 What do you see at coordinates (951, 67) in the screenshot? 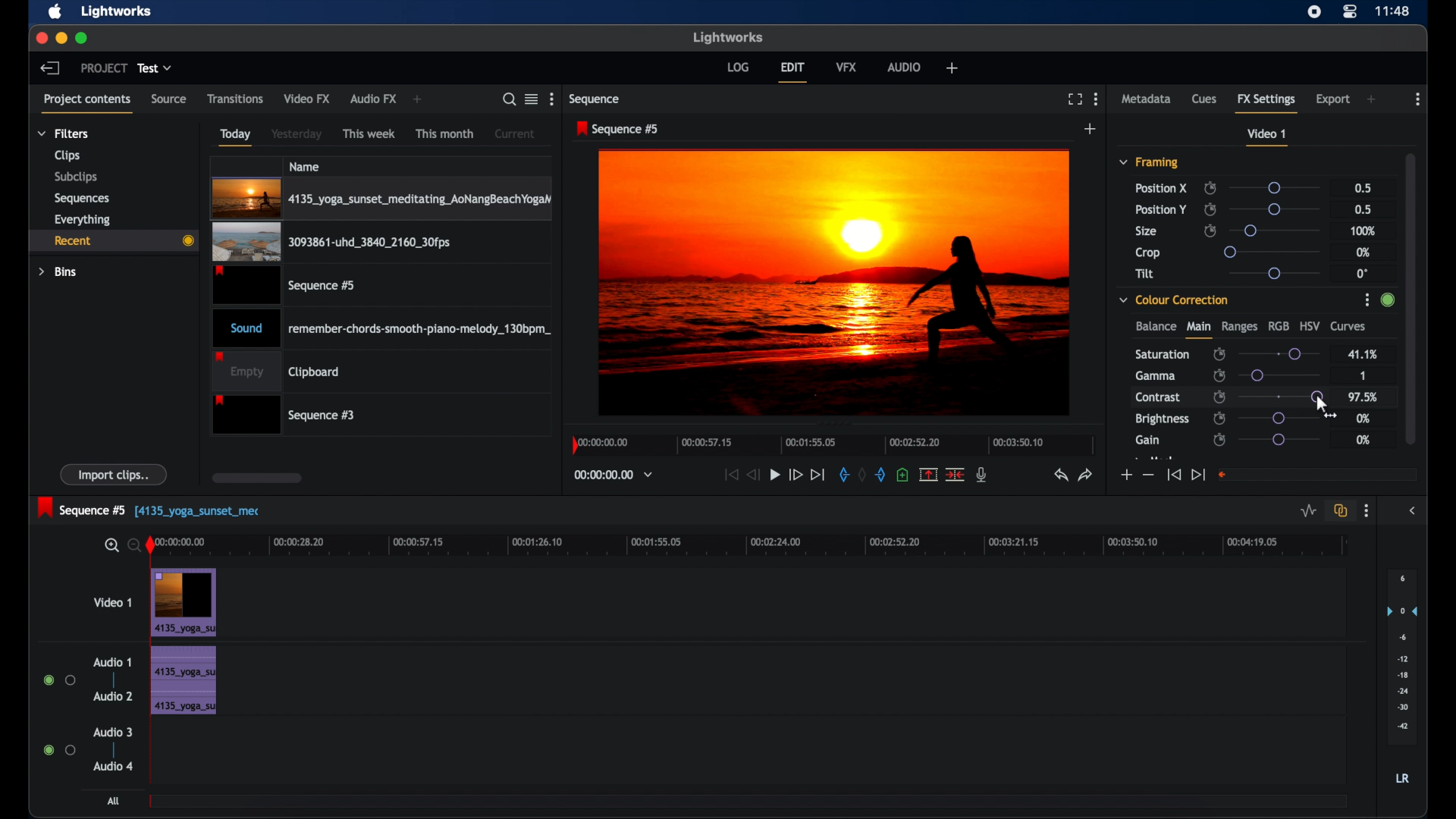
I see `add` at bounding box center [951, 67].